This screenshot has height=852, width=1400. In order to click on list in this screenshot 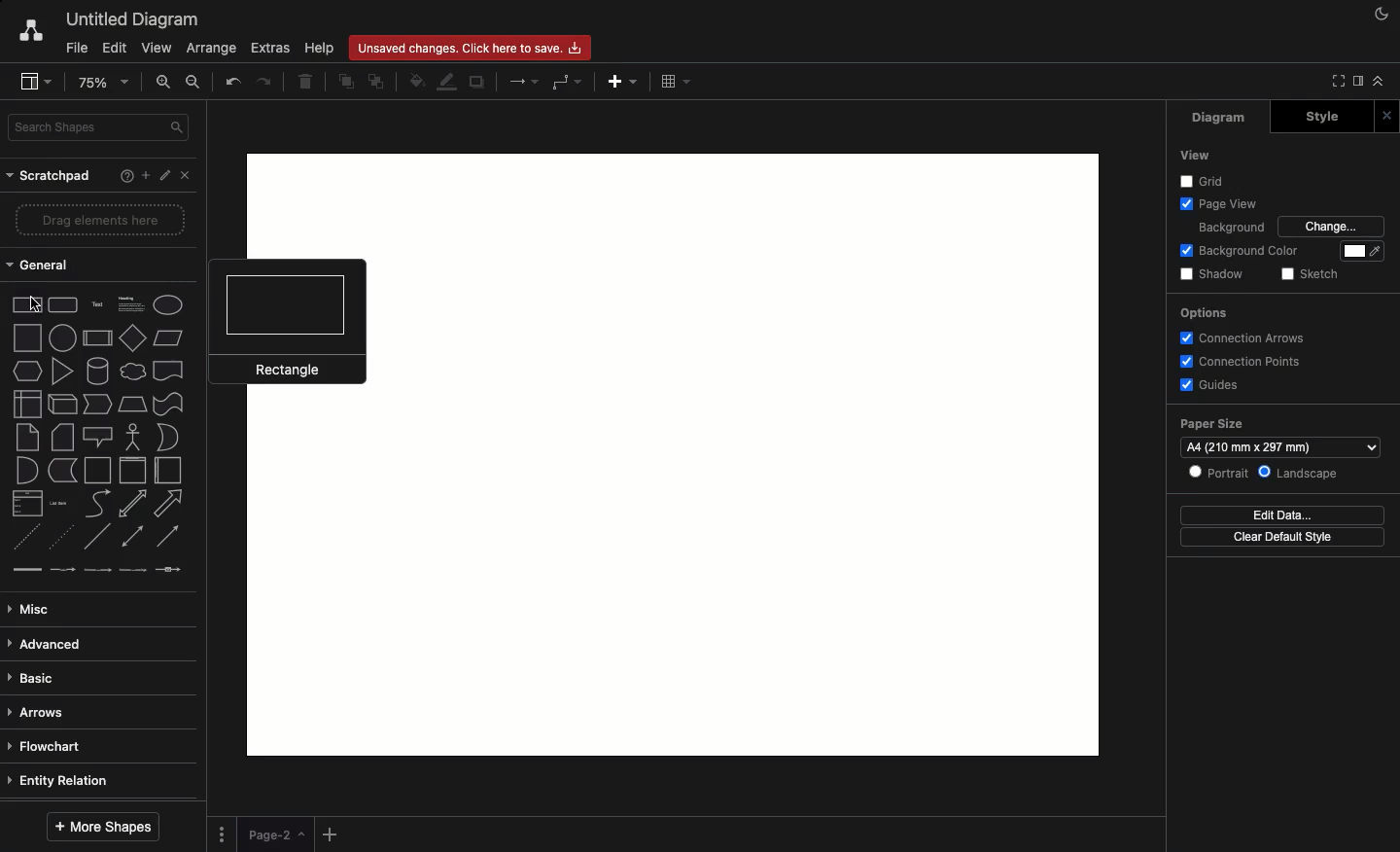, I will do `click(24, 503)`.